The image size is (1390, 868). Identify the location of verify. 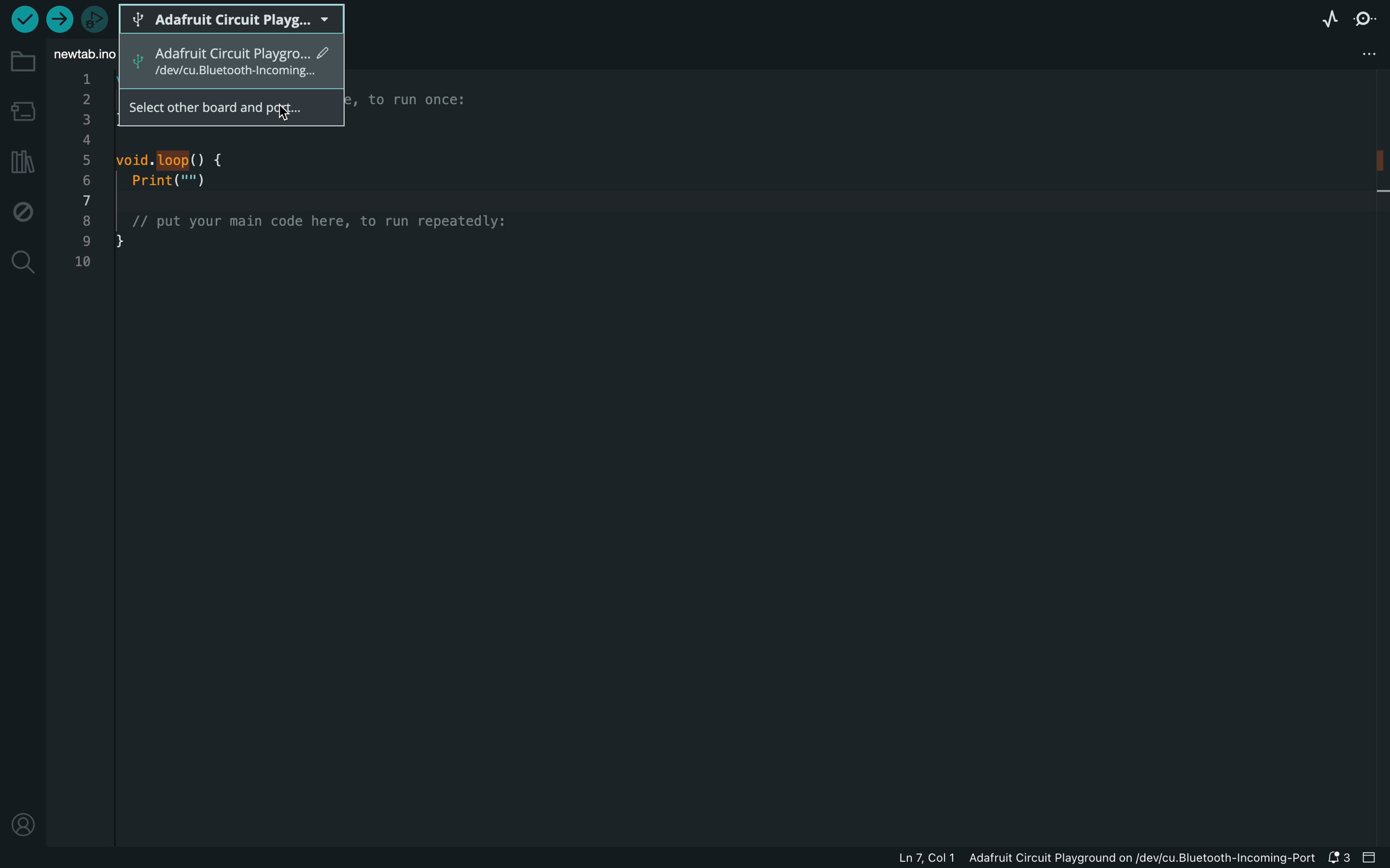
(23, 22).